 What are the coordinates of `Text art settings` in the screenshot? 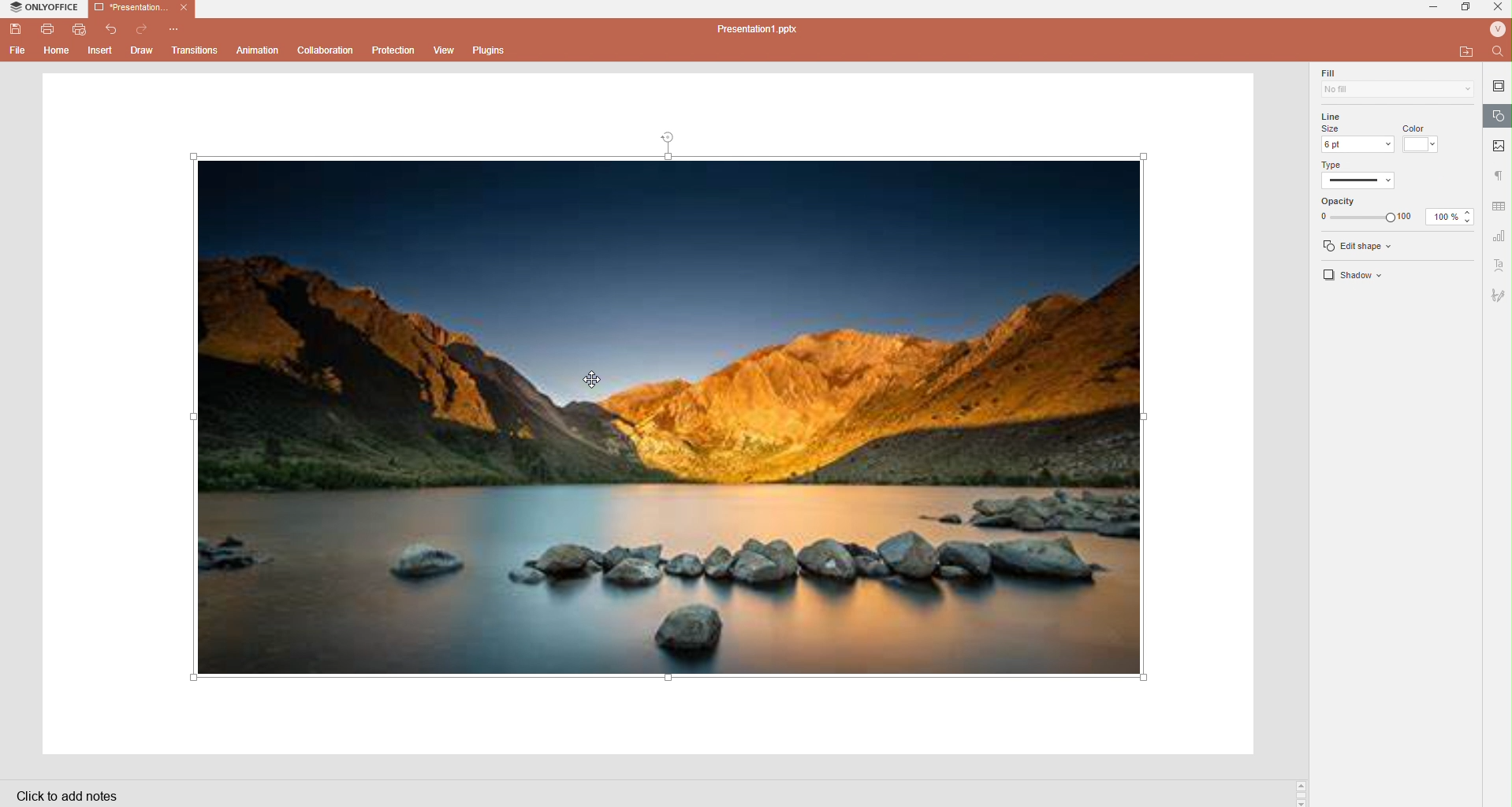 It's located at (1499, 266).